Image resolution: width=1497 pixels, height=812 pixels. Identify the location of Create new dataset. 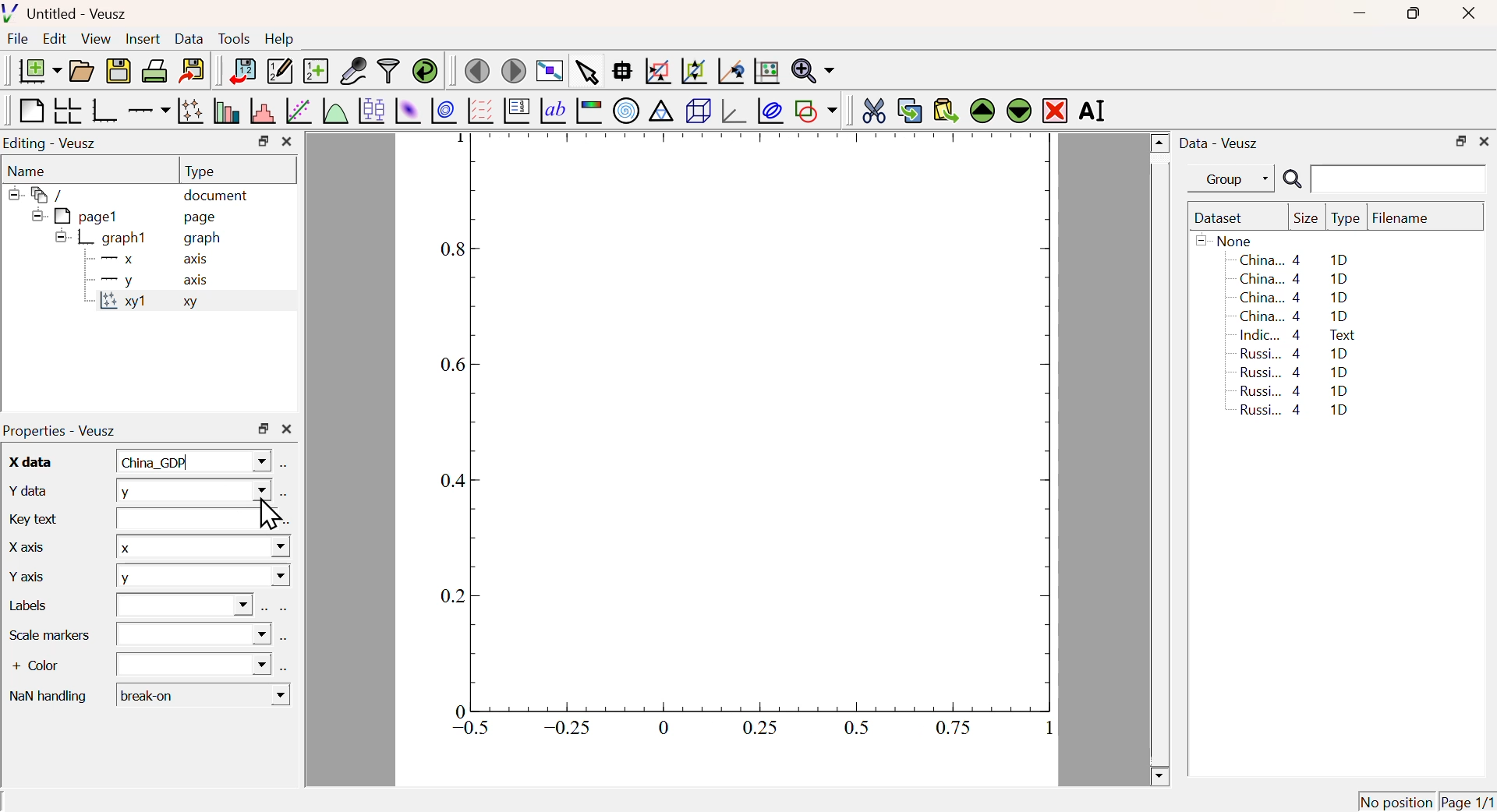
(315, 72).